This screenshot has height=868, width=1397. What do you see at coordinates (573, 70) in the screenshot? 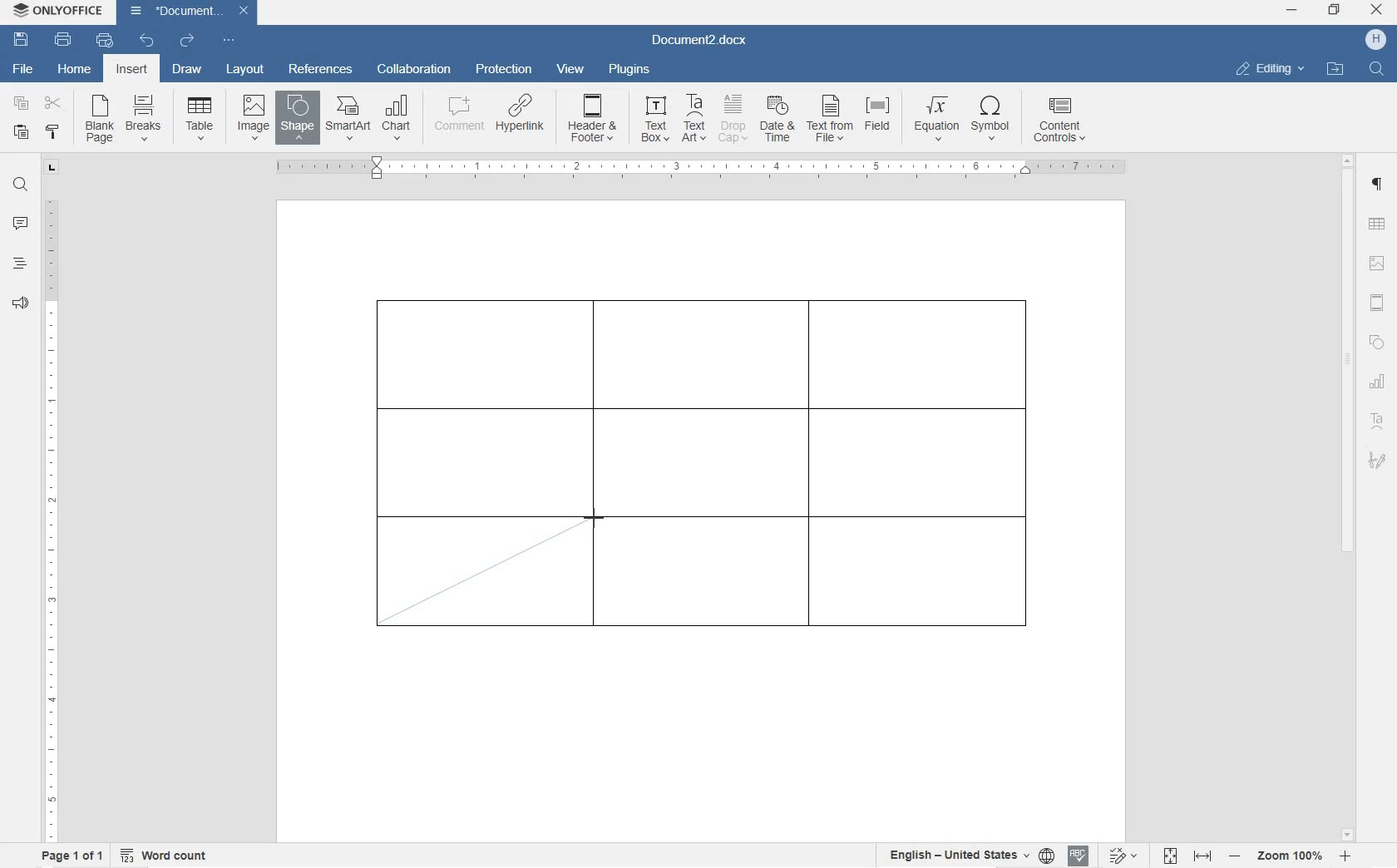
I see `view` at bounding box center [573, 70].